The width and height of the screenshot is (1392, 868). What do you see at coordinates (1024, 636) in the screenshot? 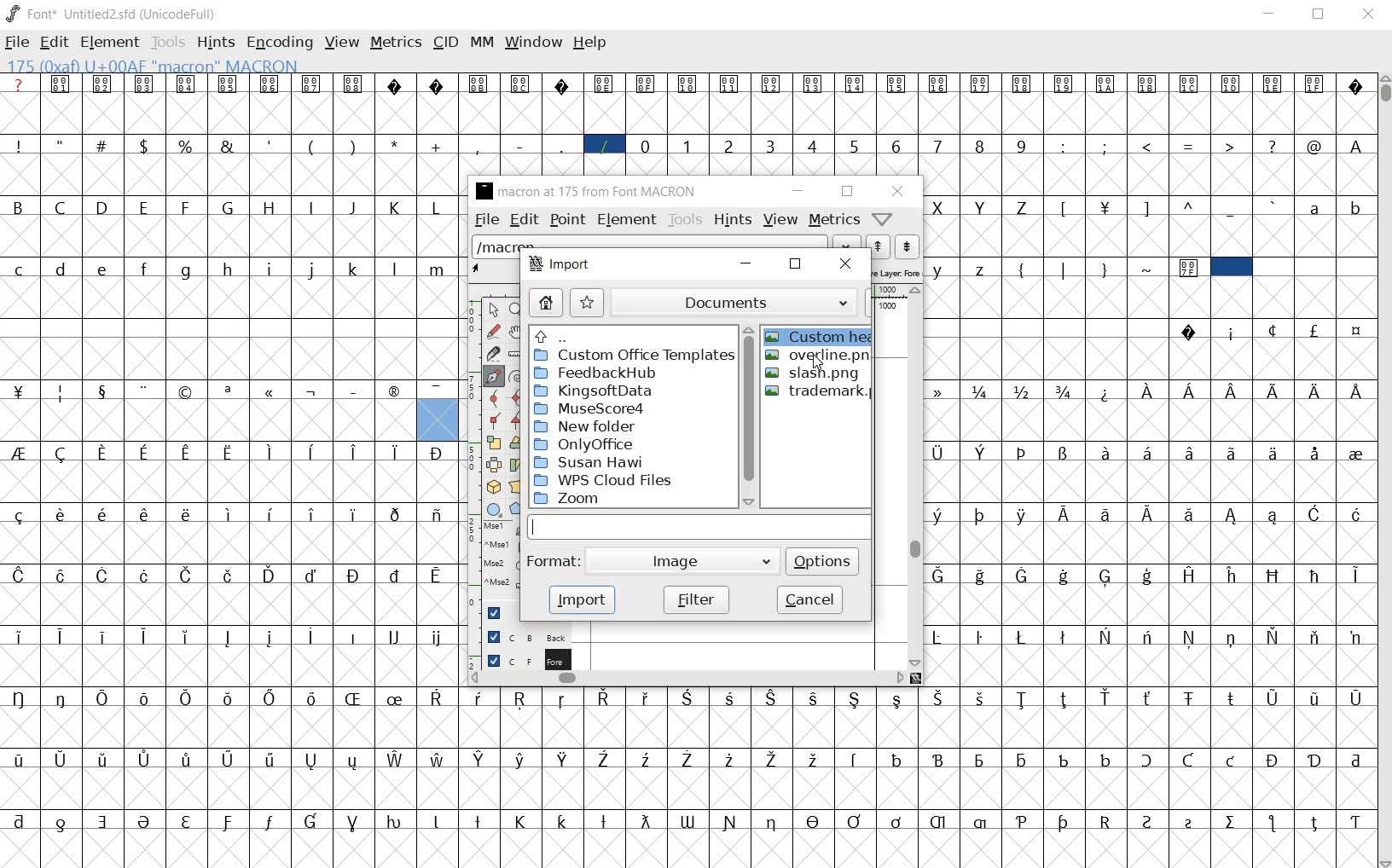
I see `Symbol` at bounding box center [1024, 636].